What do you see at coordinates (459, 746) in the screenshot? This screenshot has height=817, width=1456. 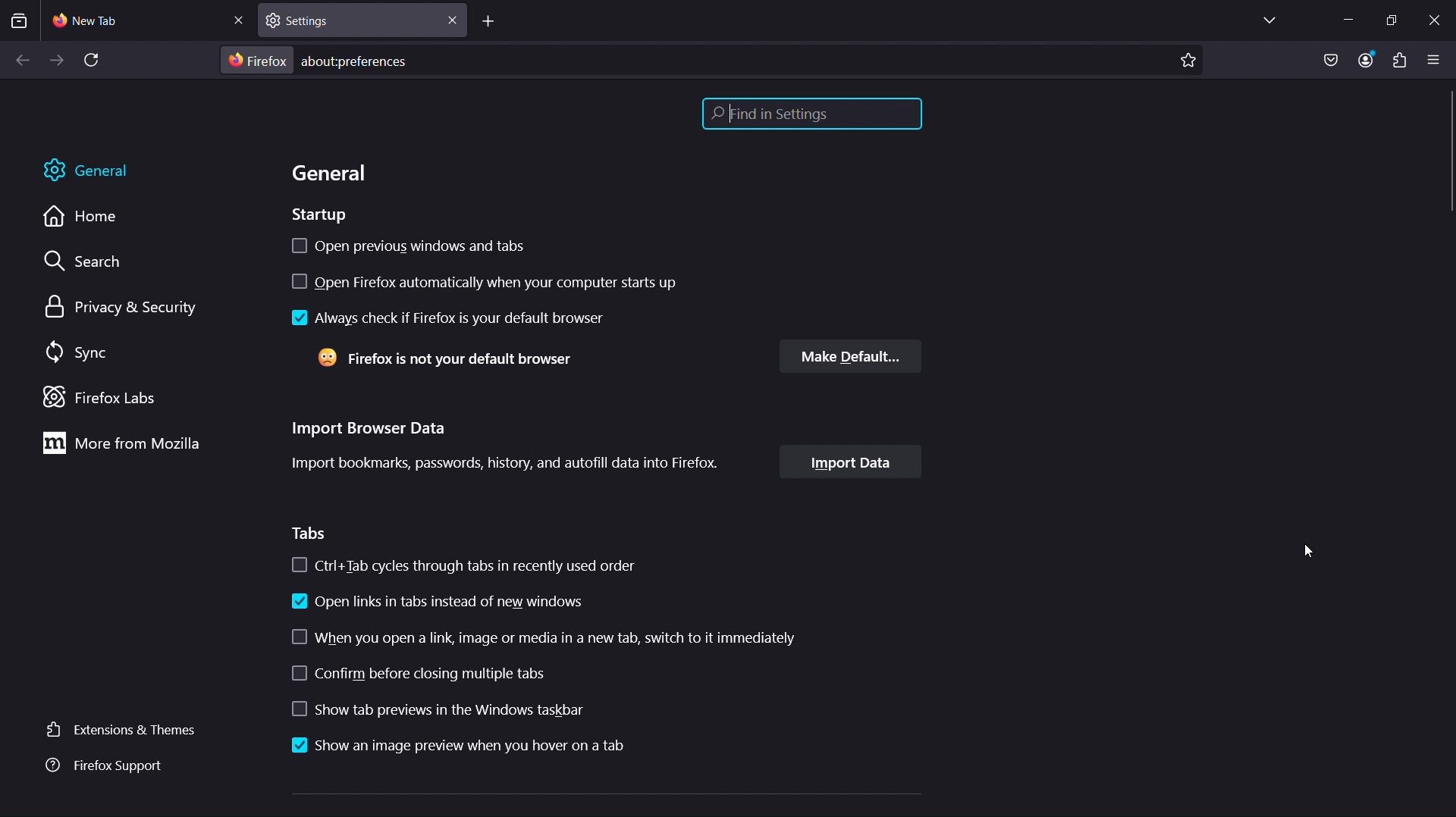 I see `Show an image preview when you hover on a tab` at bounding box center [459, 746].